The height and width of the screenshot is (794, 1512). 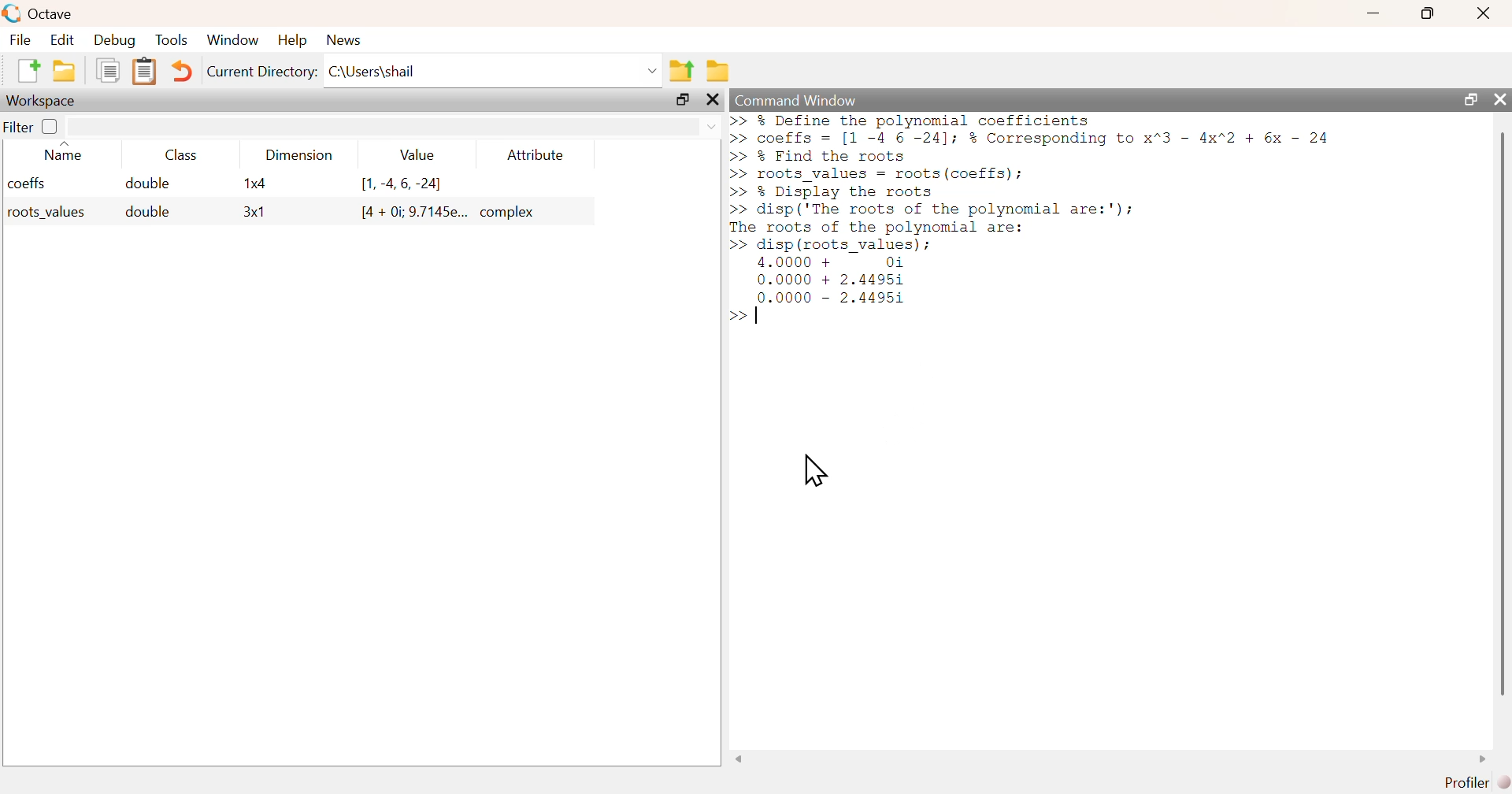 What do you see at coordinates (1429, 13) in the screenshot?
I see `maximize` at bounding box center [1429, 13].